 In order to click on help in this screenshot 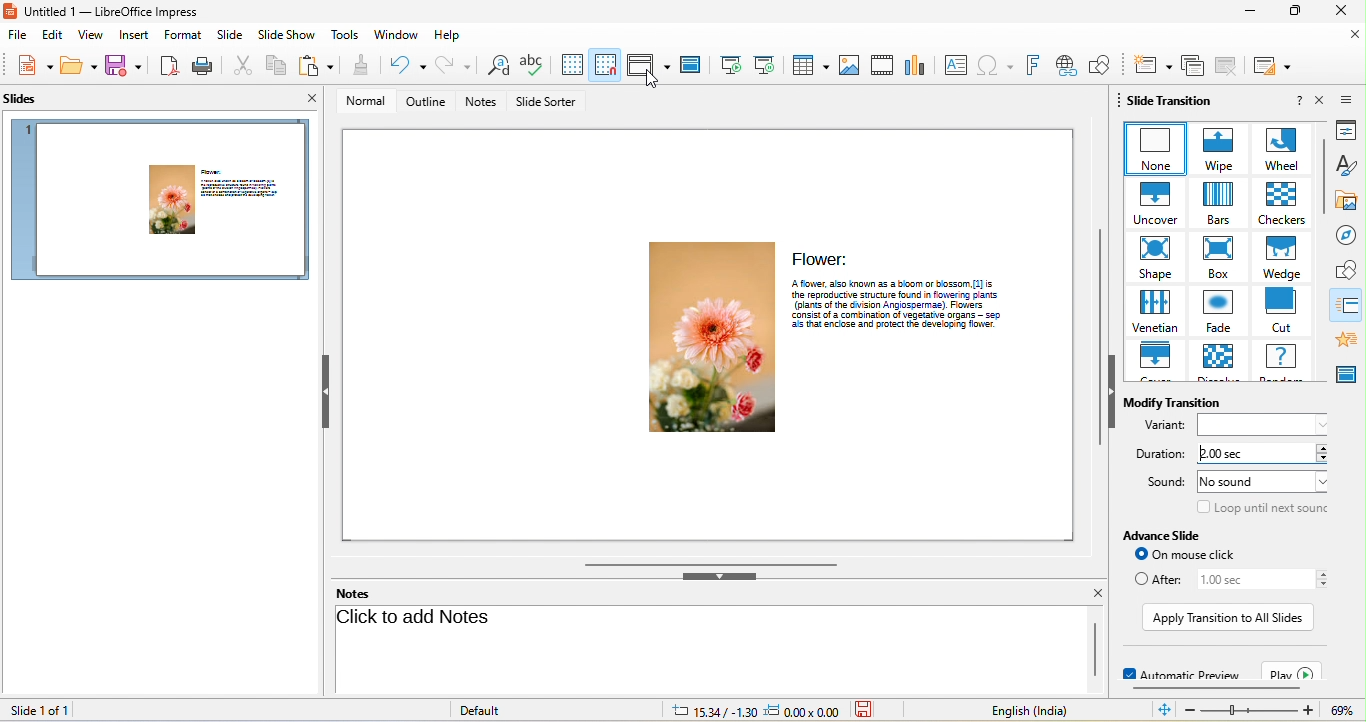, I will do `click(448, 36)`.